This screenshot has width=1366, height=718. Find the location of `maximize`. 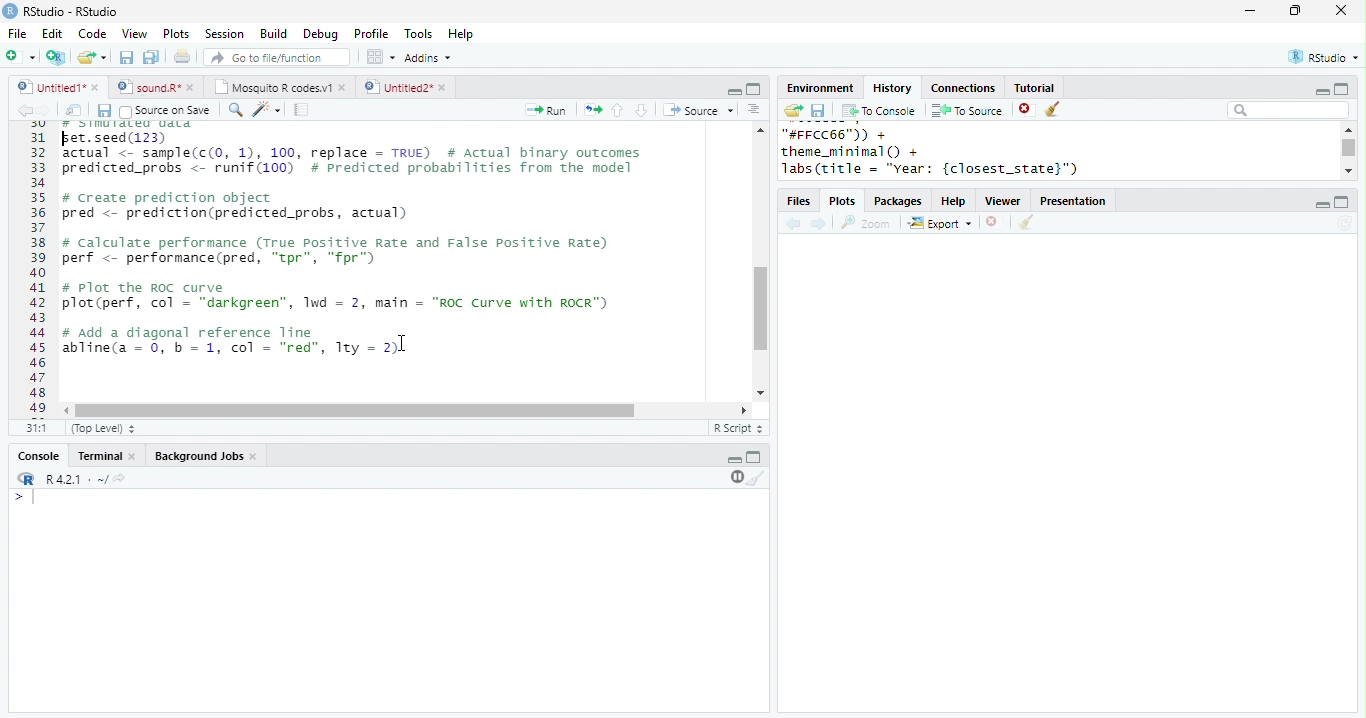

maximize is located at coordinates (753, 89).